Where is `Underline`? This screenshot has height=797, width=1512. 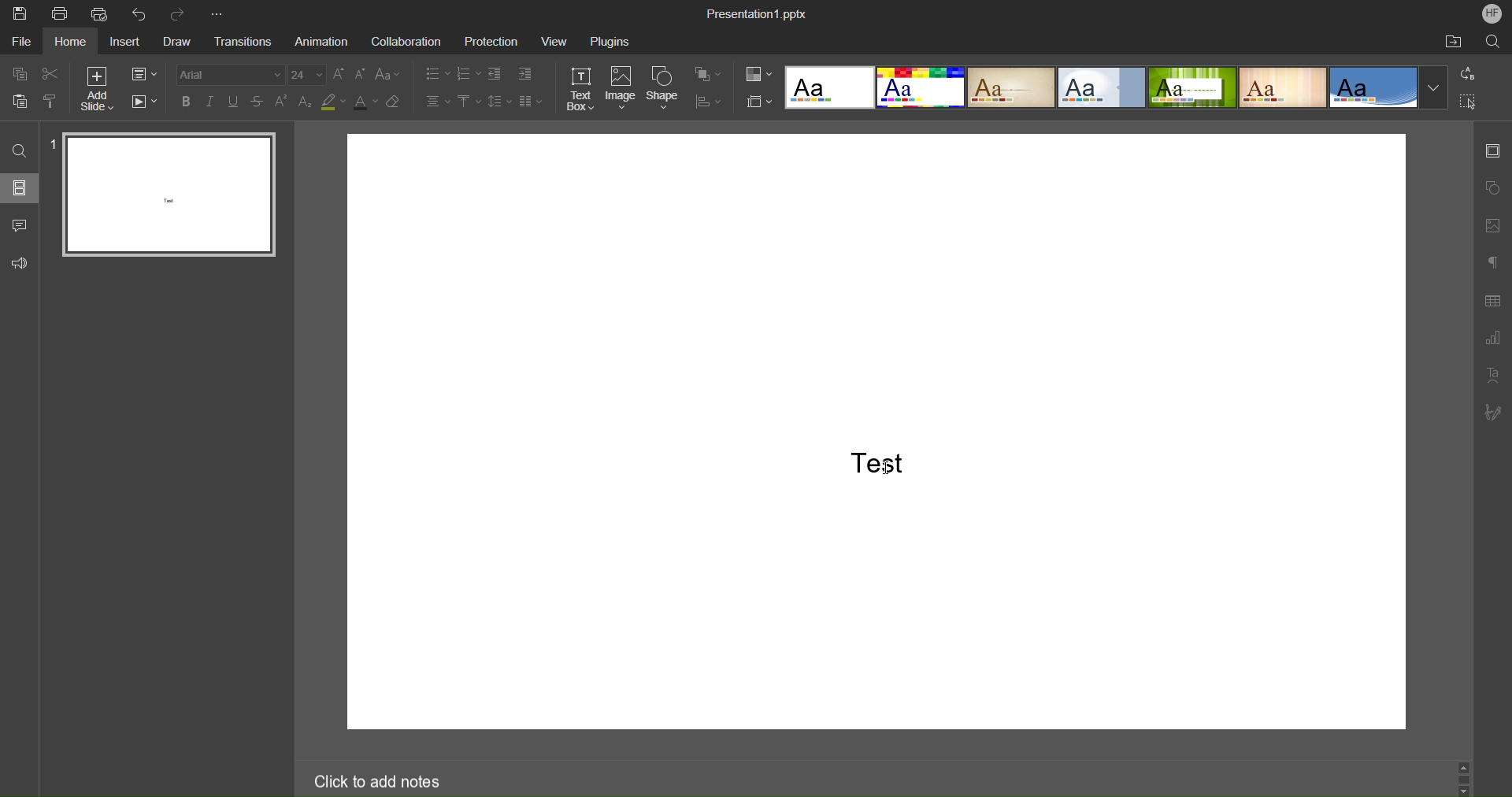 Underline is located at coordinates (235, 102).